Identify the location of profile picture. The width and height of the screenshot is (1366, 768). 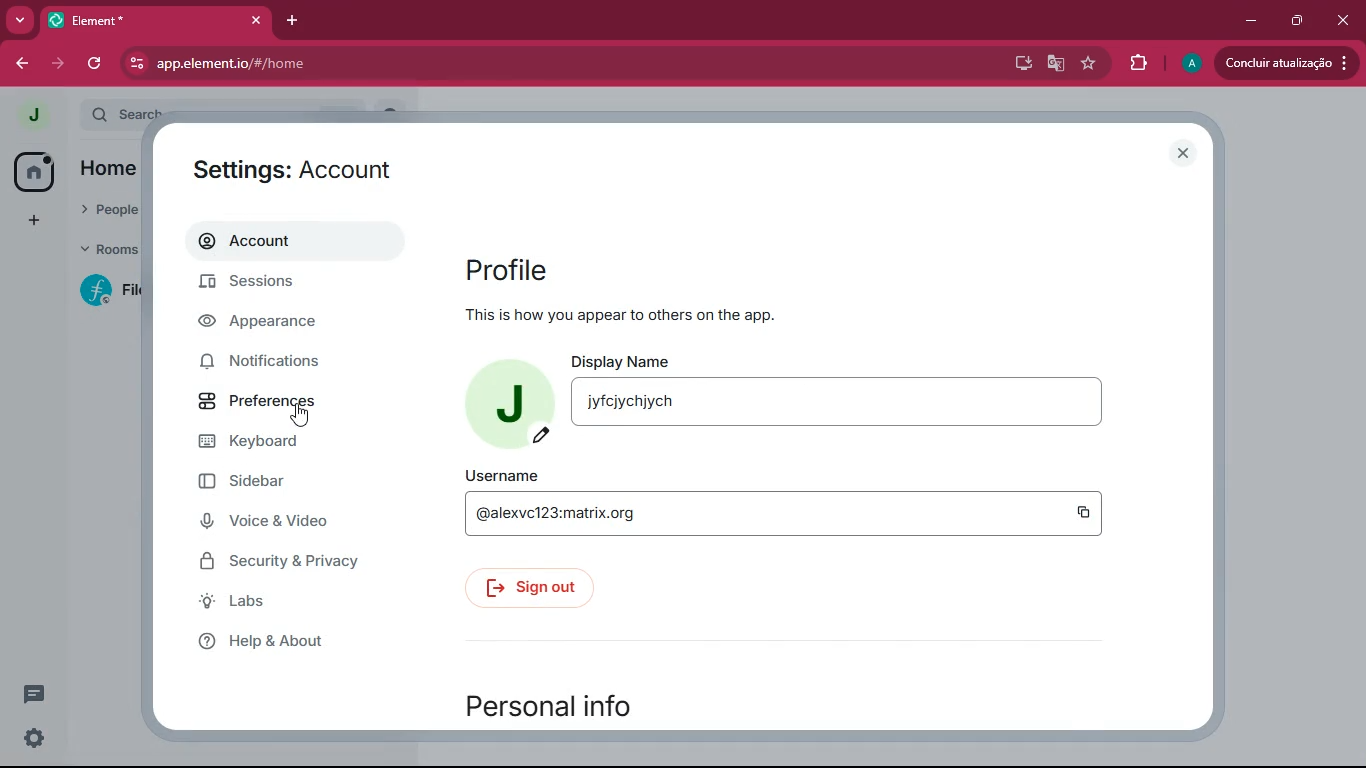
(503, 404).